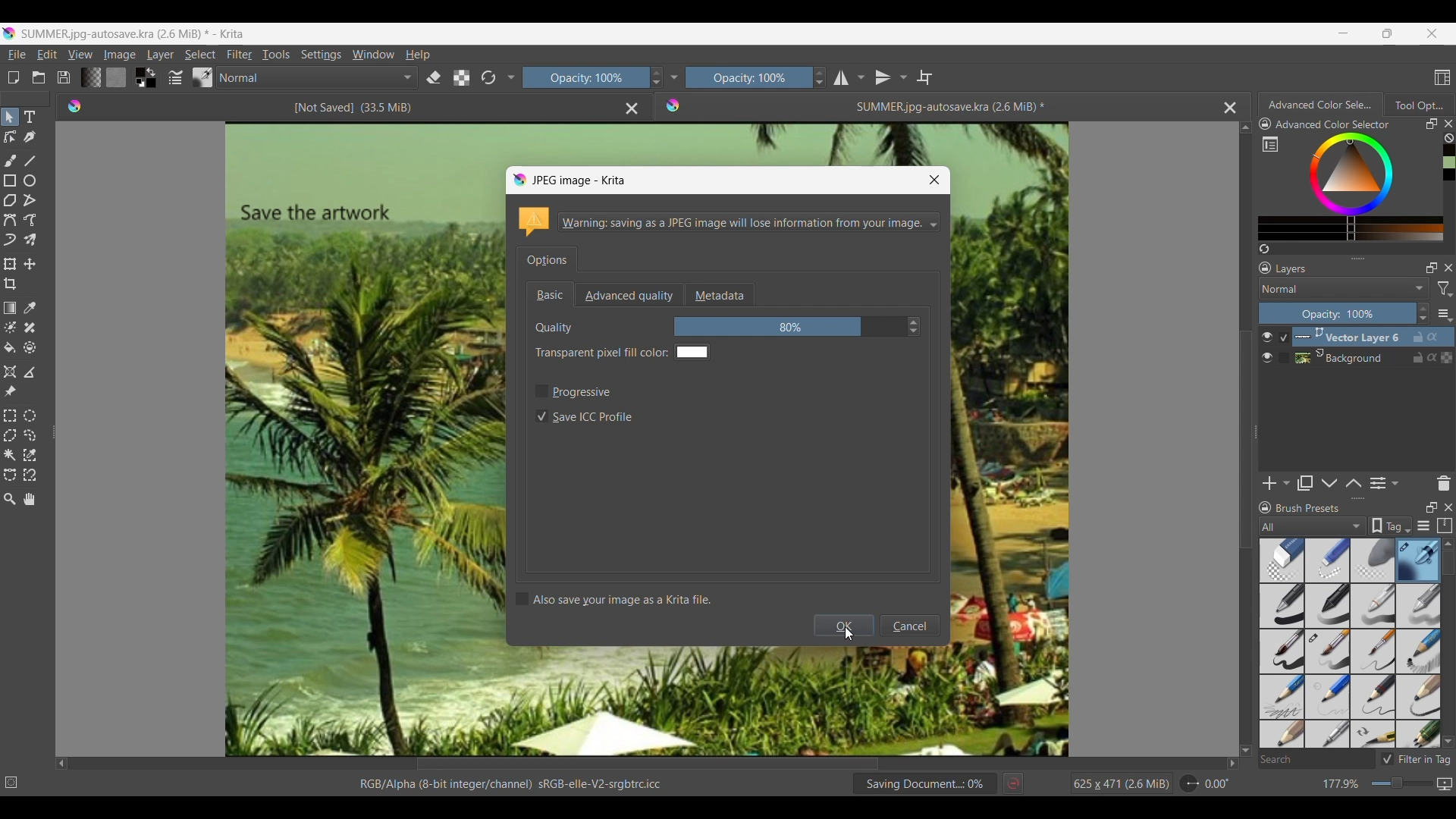 Image resolution: width=1456 pixels, height=819 pixels. Describe the element at coordinates (417, 55) in the screenshot. I see `Help` at that location.